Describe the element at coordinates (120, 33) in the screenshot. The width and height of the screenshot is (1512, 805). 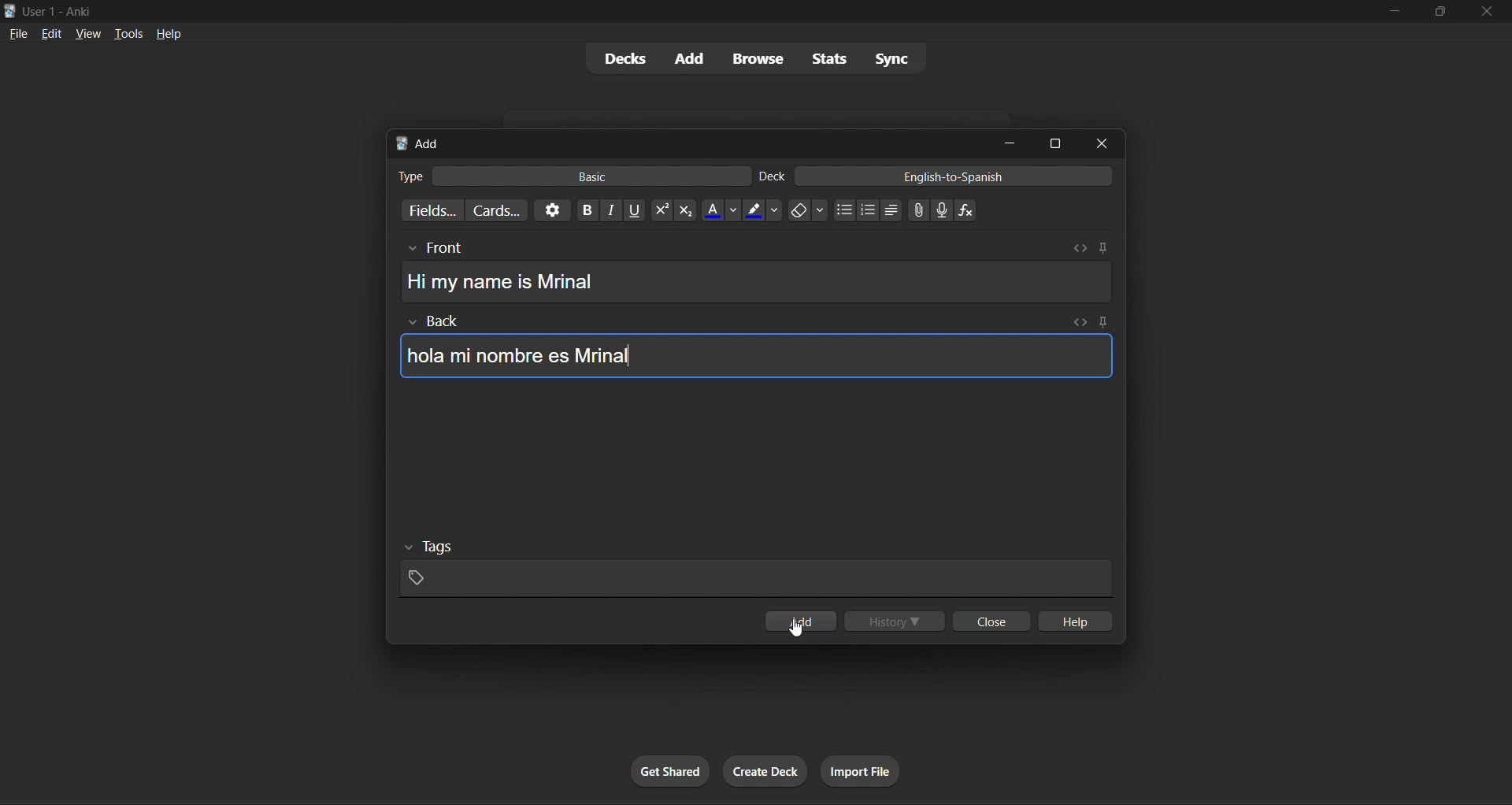
I see `tools` at that location.